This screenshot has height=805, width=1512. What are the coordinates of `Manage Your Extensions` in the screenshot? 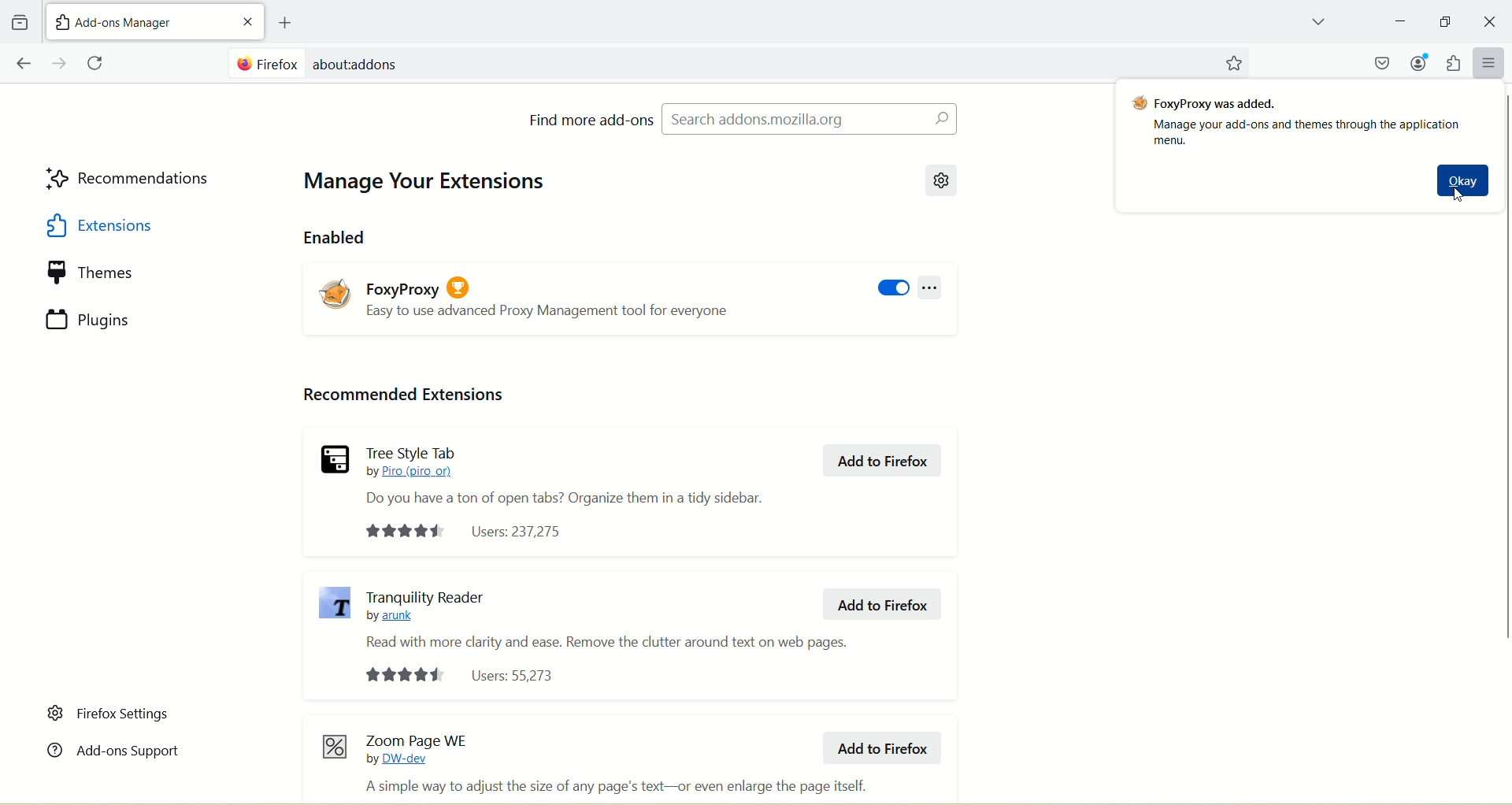 It's located at (432, 184).